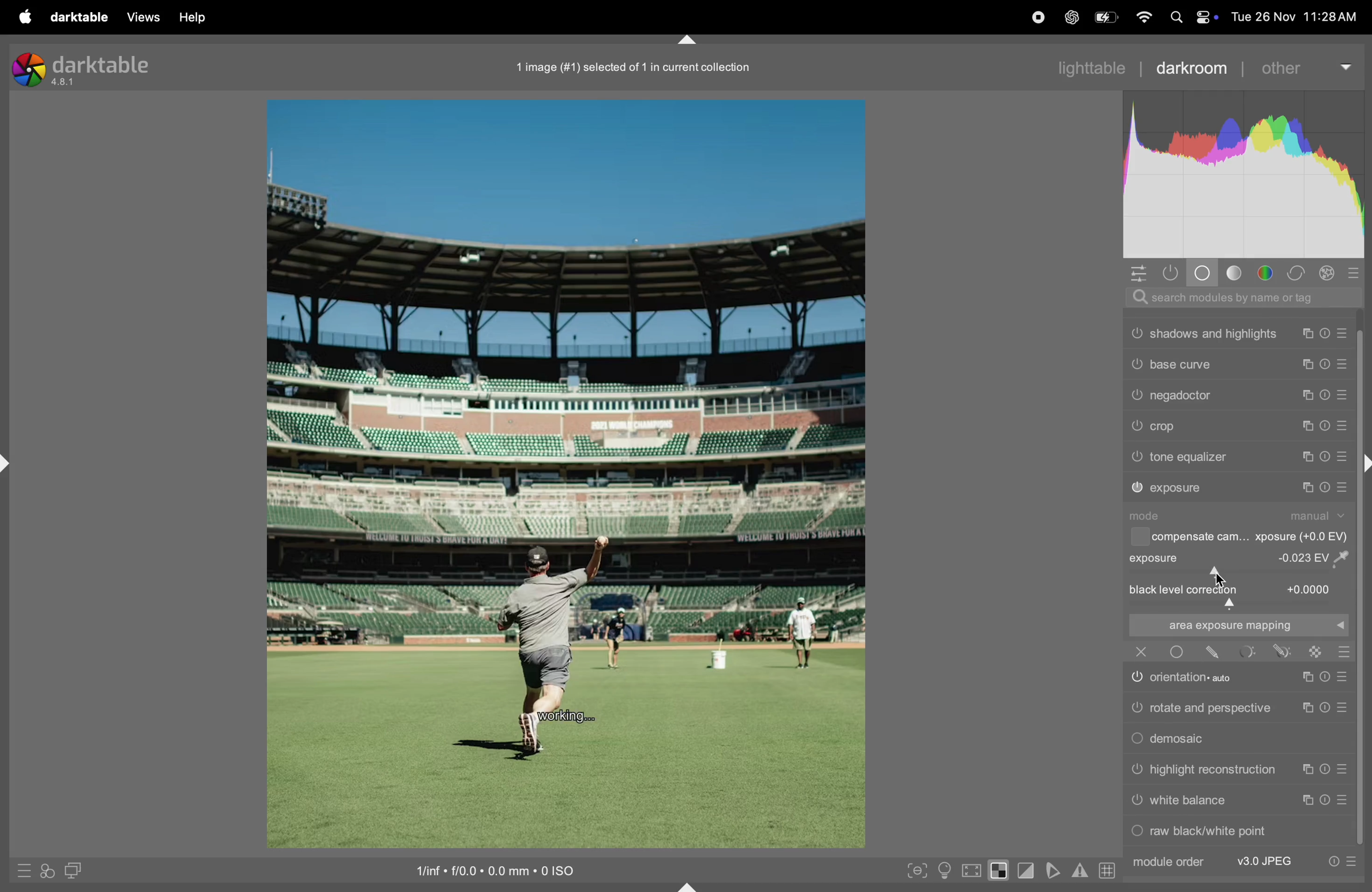 Image resolution: width=1372 pixels, height=892 pixels. What do you see at coordinates (1324, 770) in the screenshot?
I see `reset Preset` at bounding box center [1324, 770].